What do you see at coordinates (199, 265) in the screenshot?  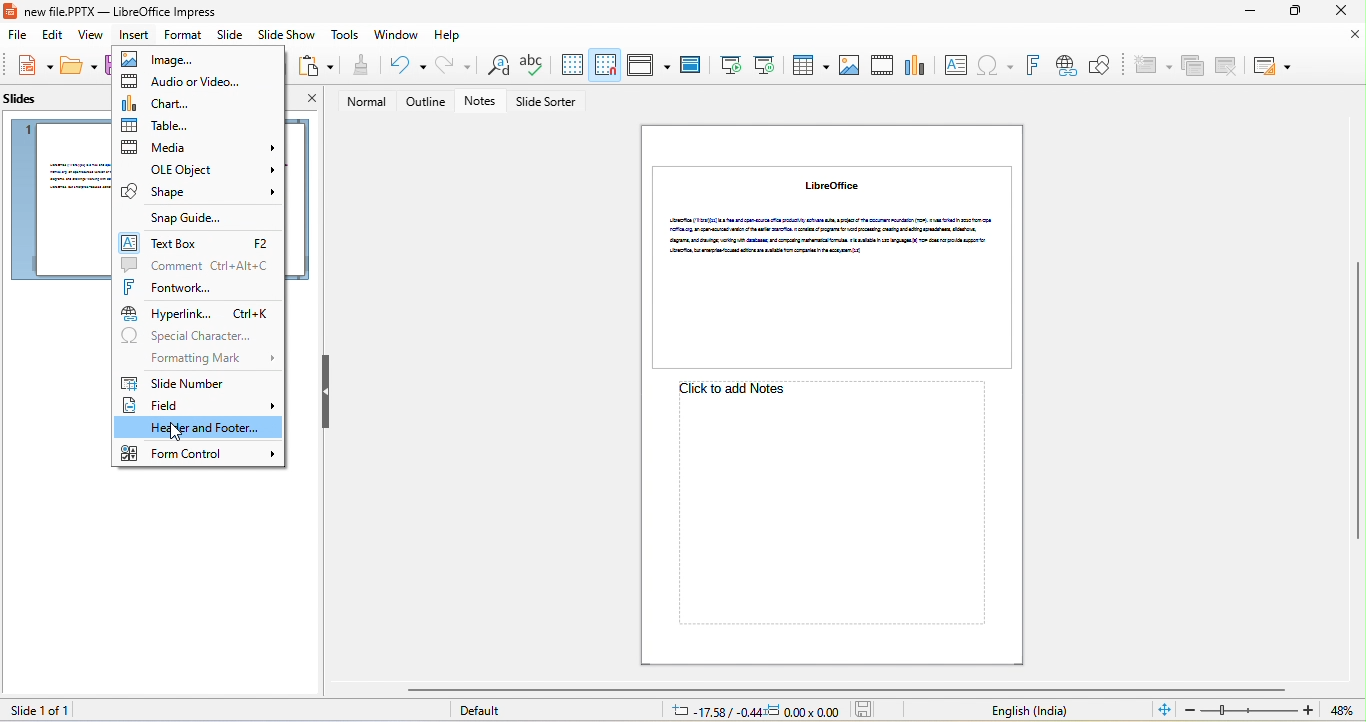 I see `comment` at bounding box center [199, 265].